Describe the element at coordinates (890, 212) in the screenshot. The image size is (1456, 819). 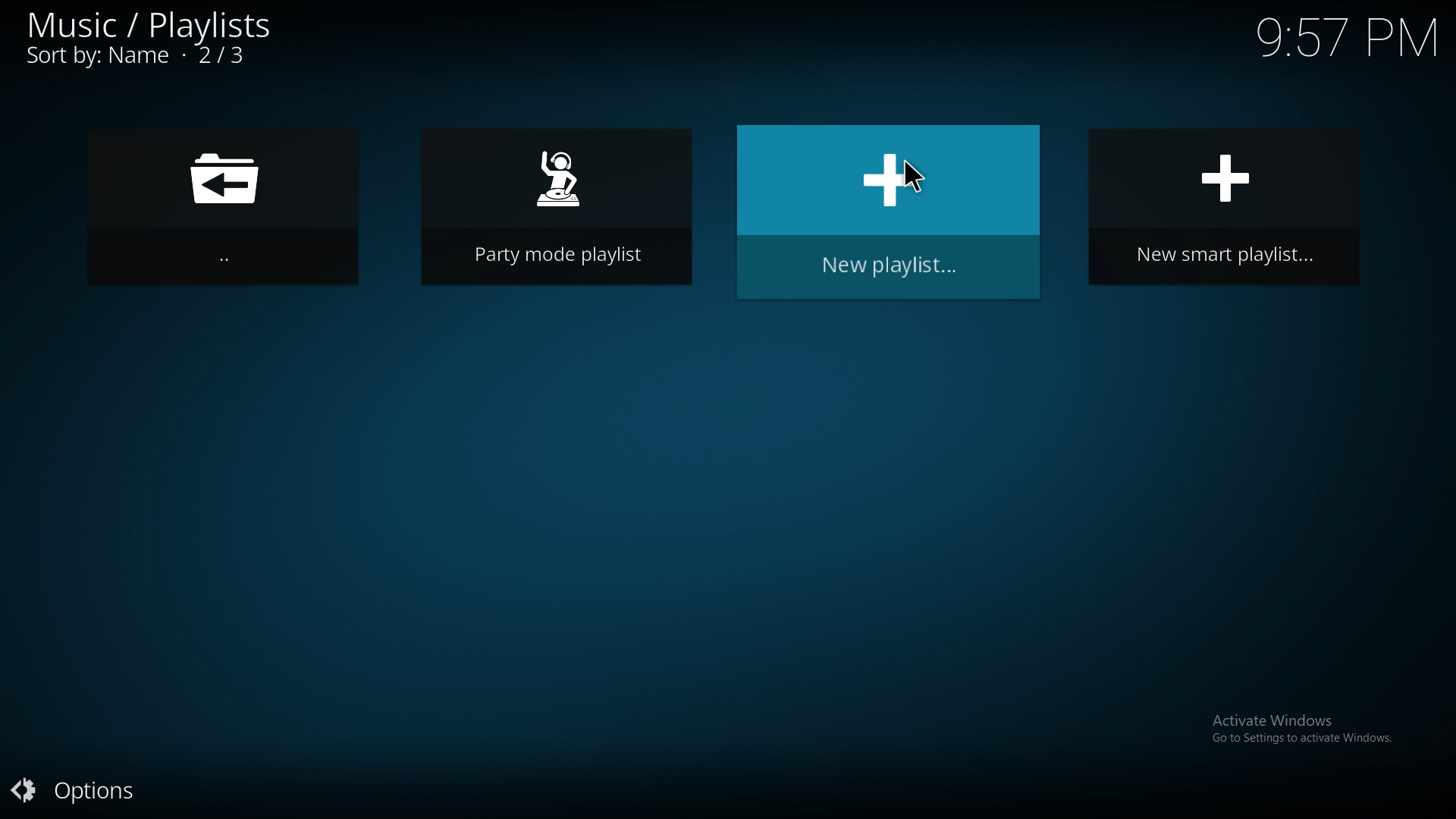
I see `new playlist` at that location.